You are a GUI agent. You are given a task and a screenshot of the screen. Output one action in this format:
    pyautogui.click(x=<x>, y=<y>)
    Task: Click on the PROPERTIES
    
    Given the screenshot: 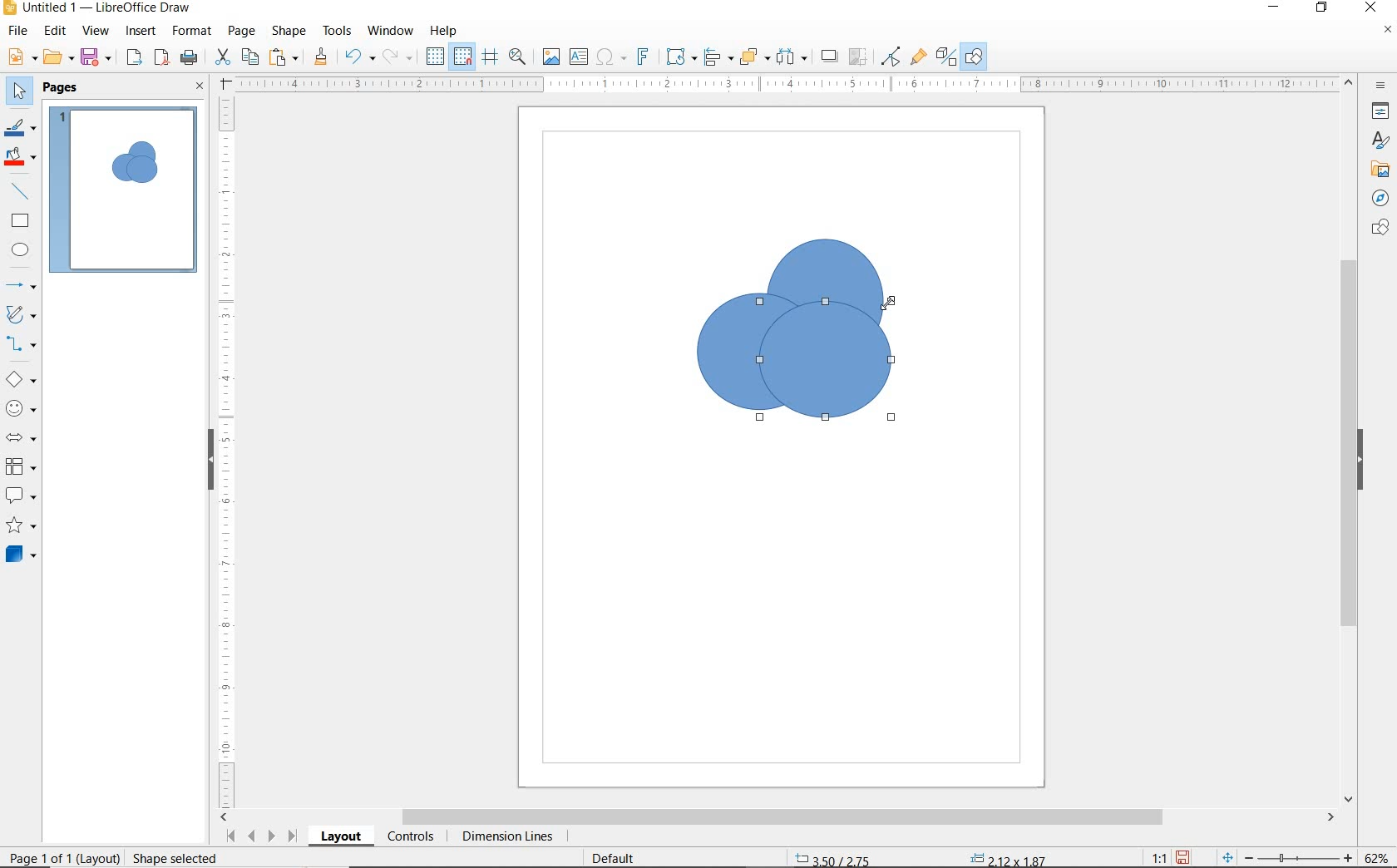 What is the action you would take?
    pyautogui.click(x=1383, y=114)
    